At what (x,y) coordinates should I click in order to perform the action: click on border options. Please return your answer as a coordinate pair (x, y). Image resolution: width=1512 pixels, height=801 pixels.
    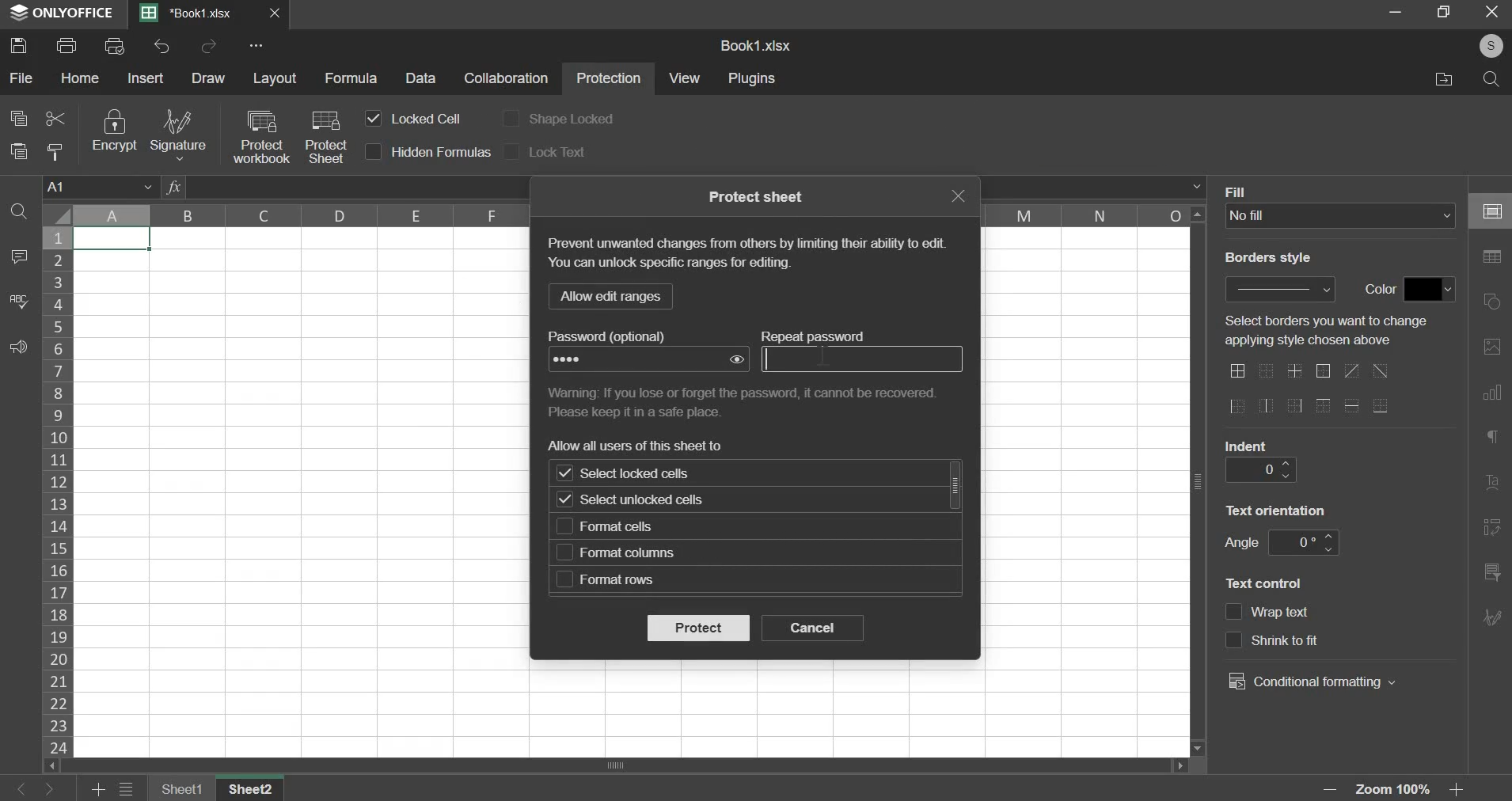
    Looking at the image, I should click on (1296, 371).